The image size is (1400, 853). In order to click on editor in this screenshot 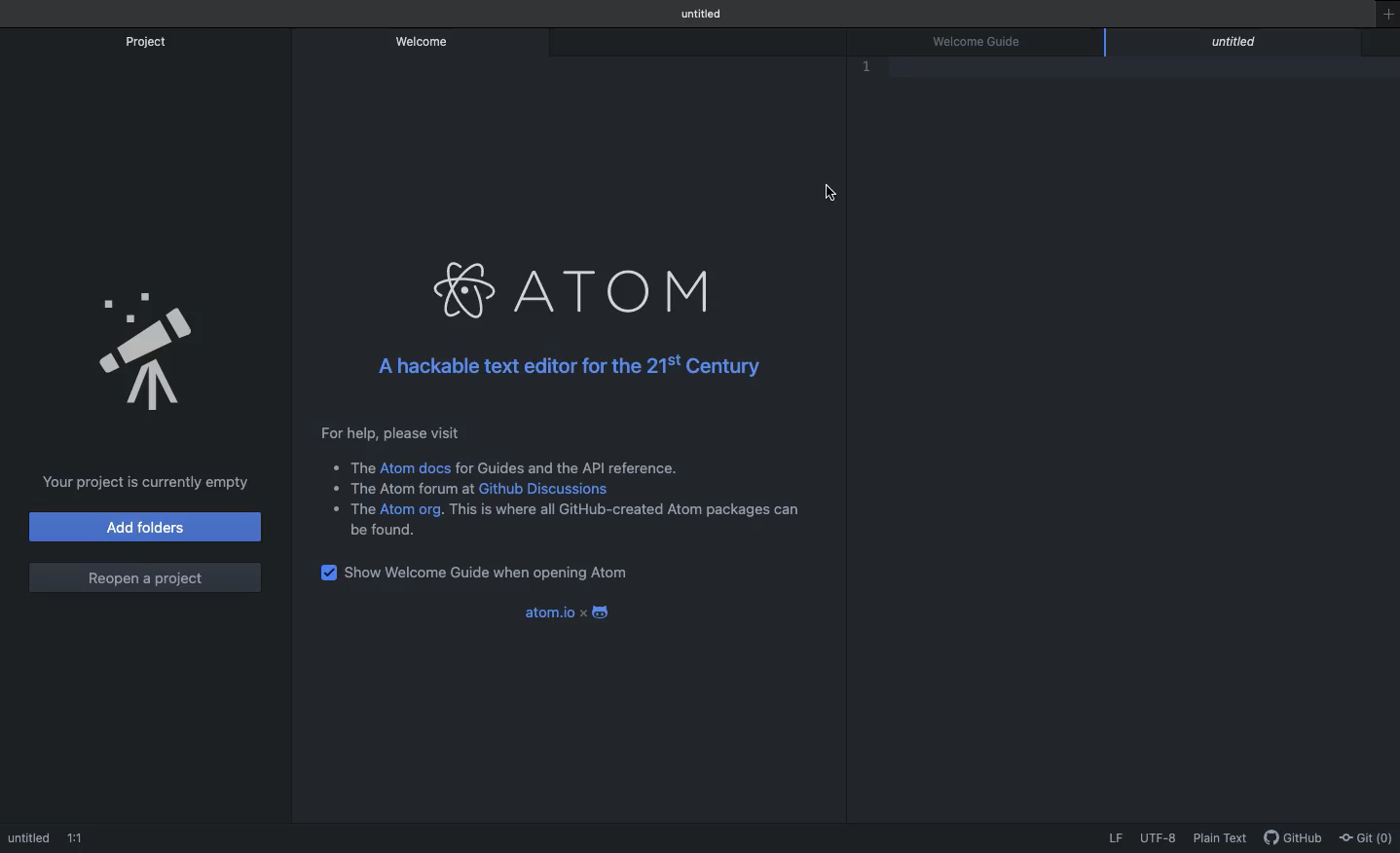, I will do `click(1236, 44)`.